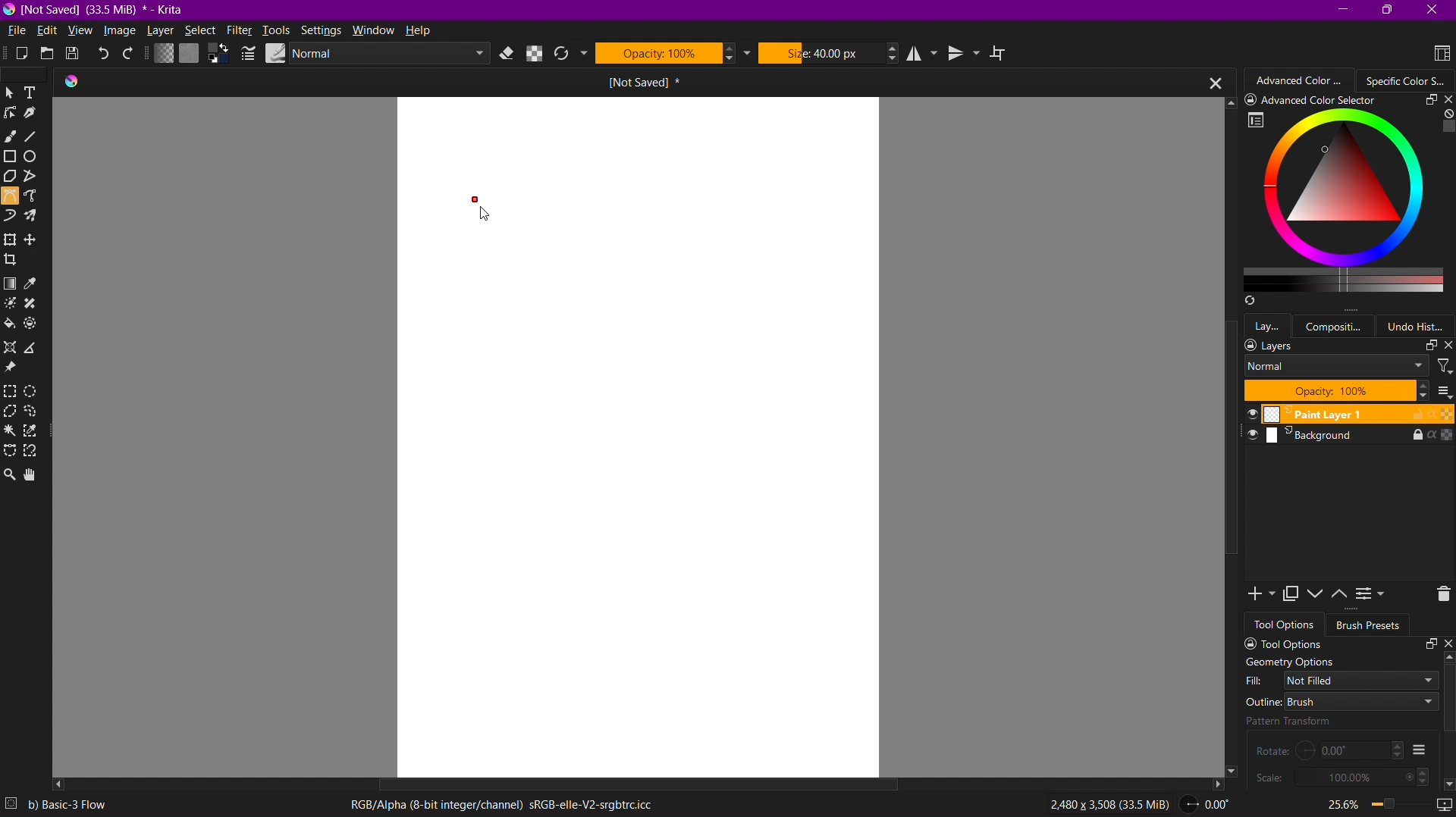 The image size is (1456, 817). Describe the element at coordinates (36, 197) in the screenshot. I see `Freehand Path Tool` at that location.